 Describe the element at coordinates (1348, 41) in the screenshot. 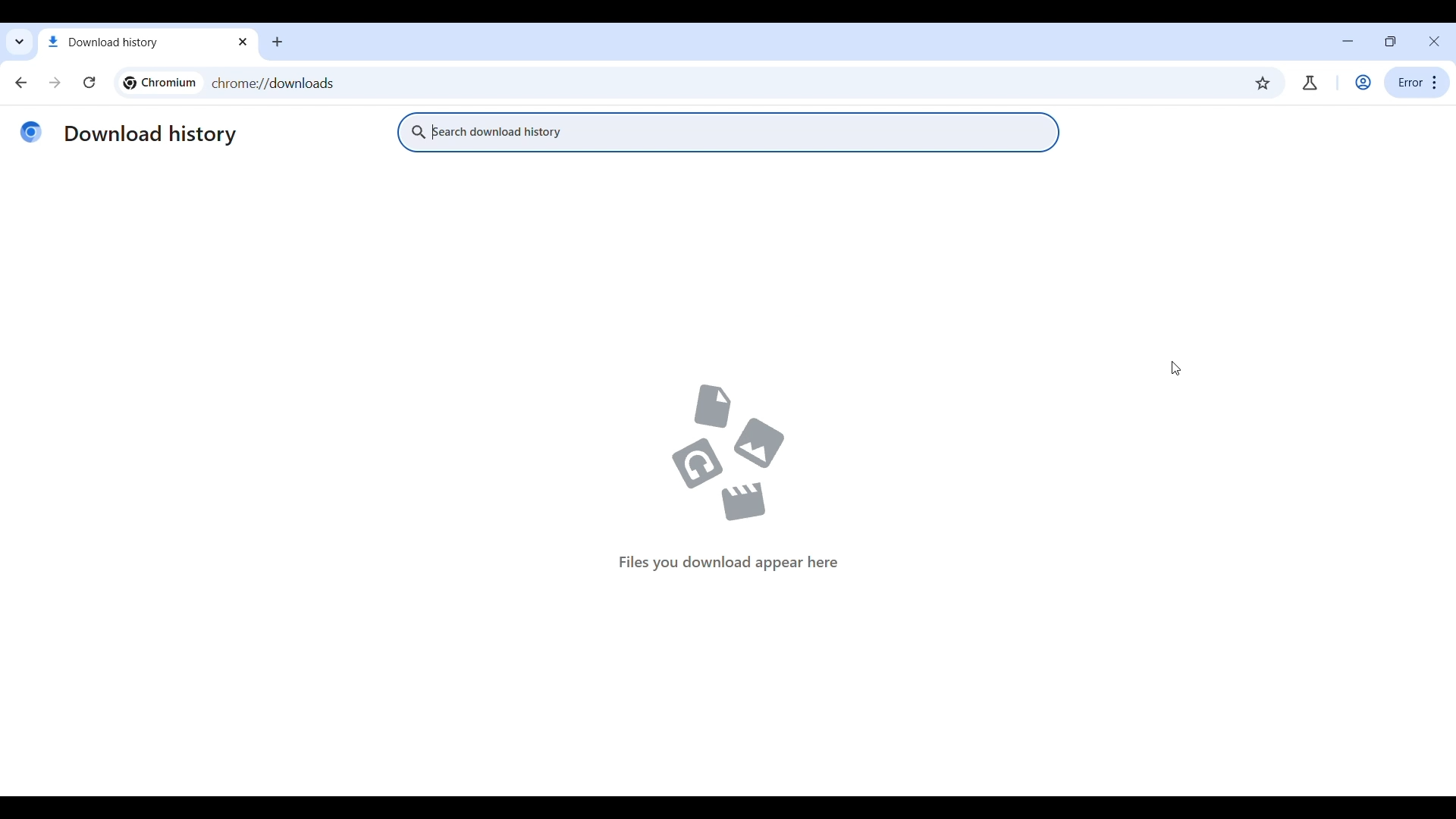

I see `Minimize` at that location.